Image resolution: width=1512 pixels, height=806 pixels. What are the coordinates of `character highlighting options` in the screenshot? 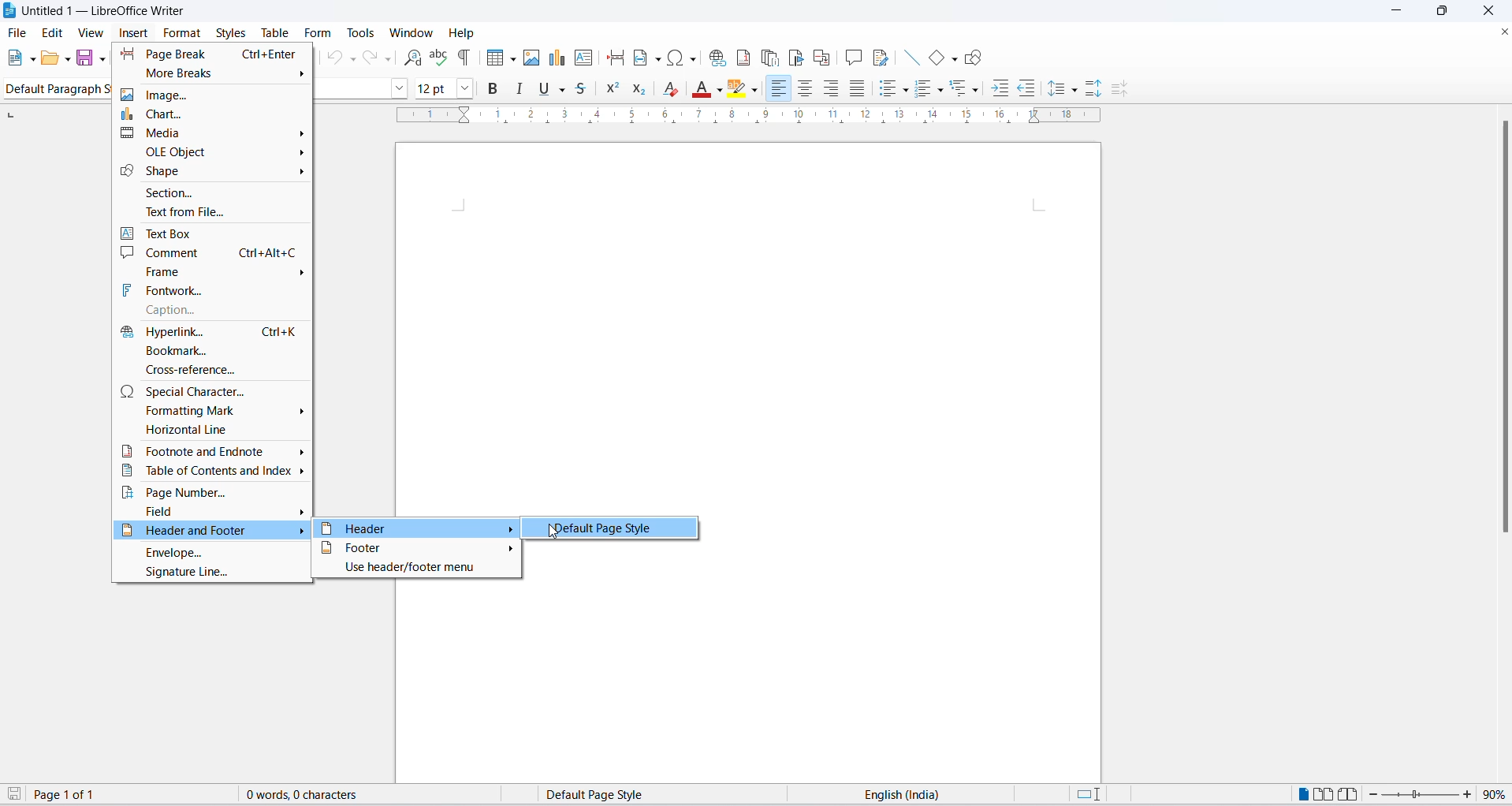 It's located at (758, 89).